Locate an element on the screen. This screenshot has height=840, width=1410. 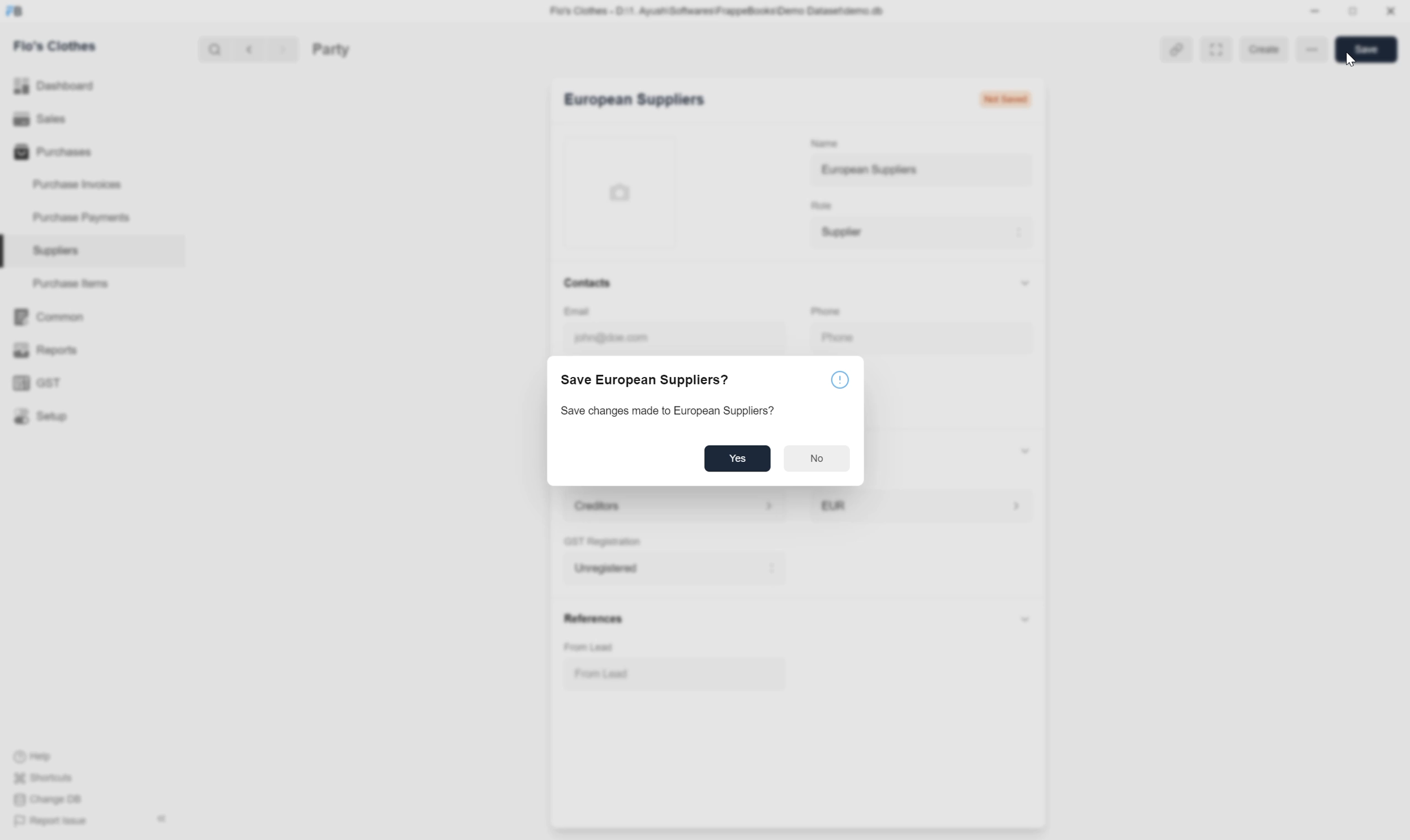
go back is located at coordinates (245, 48).